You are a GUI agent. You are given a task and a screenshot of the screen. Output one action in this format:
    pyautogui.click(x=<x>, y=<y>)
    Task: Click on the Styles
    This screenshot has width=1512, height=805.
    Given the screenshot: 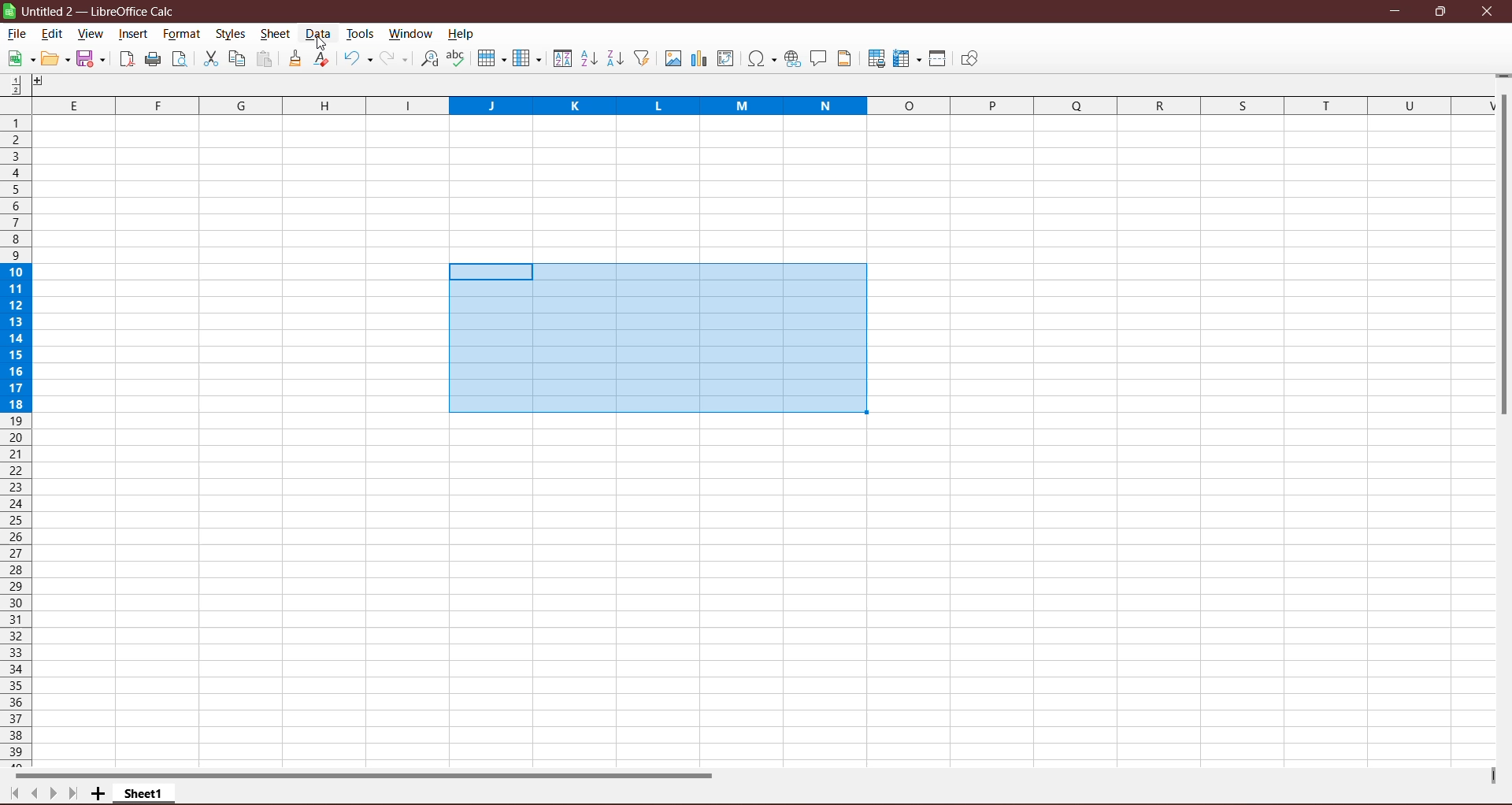 What is the action you would take?
    pyautogui.click(x=232, y=35)
    